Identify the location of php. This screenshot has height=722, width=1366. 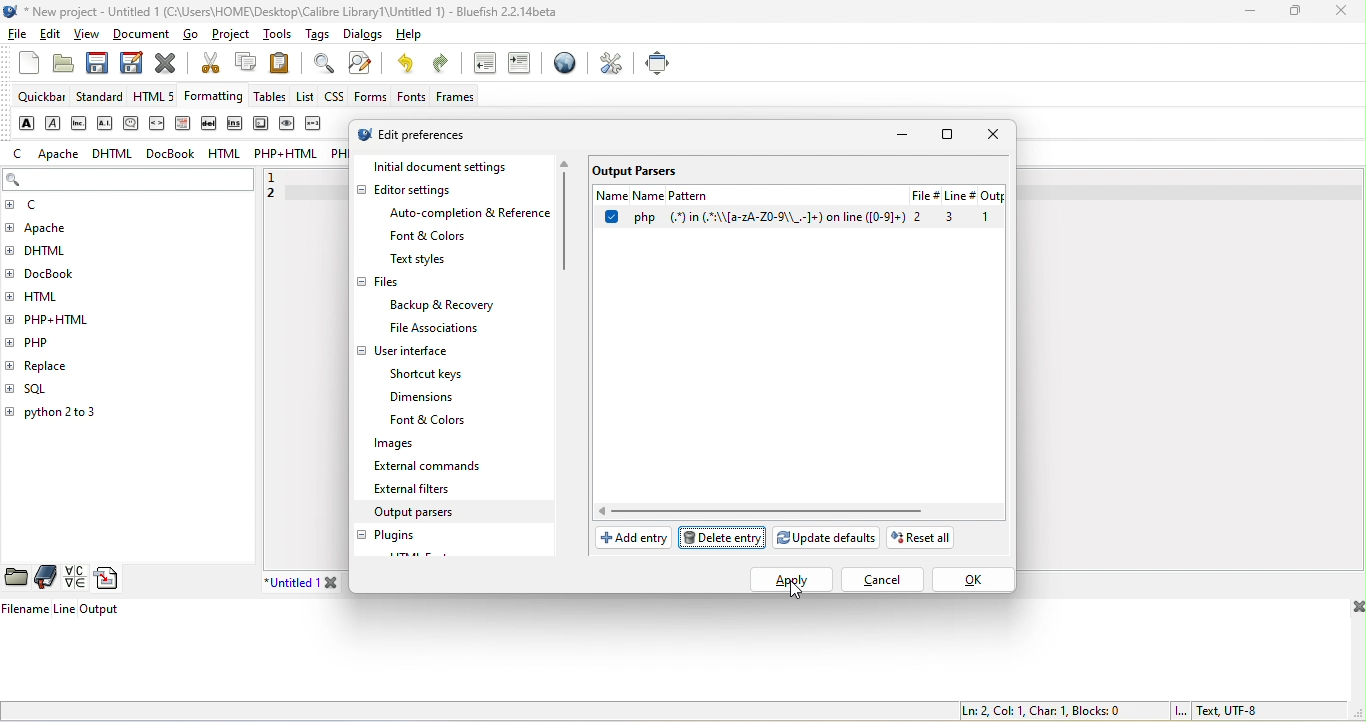
(340, 155).